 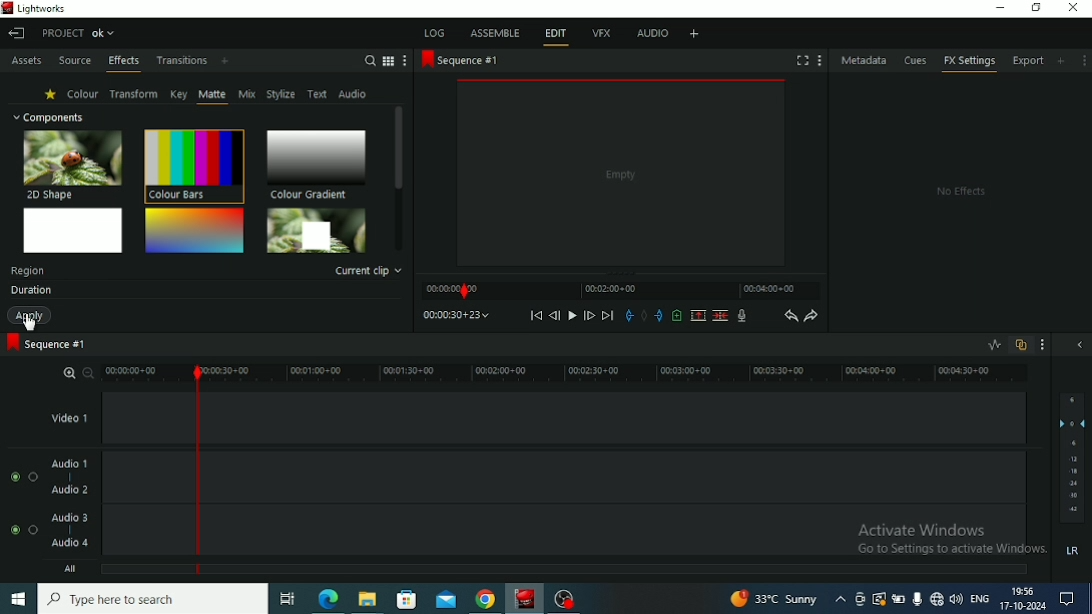 What do you see at coordinates (178, 94) in the screenshot?
I see `Key` at bounding box center [178, 94].